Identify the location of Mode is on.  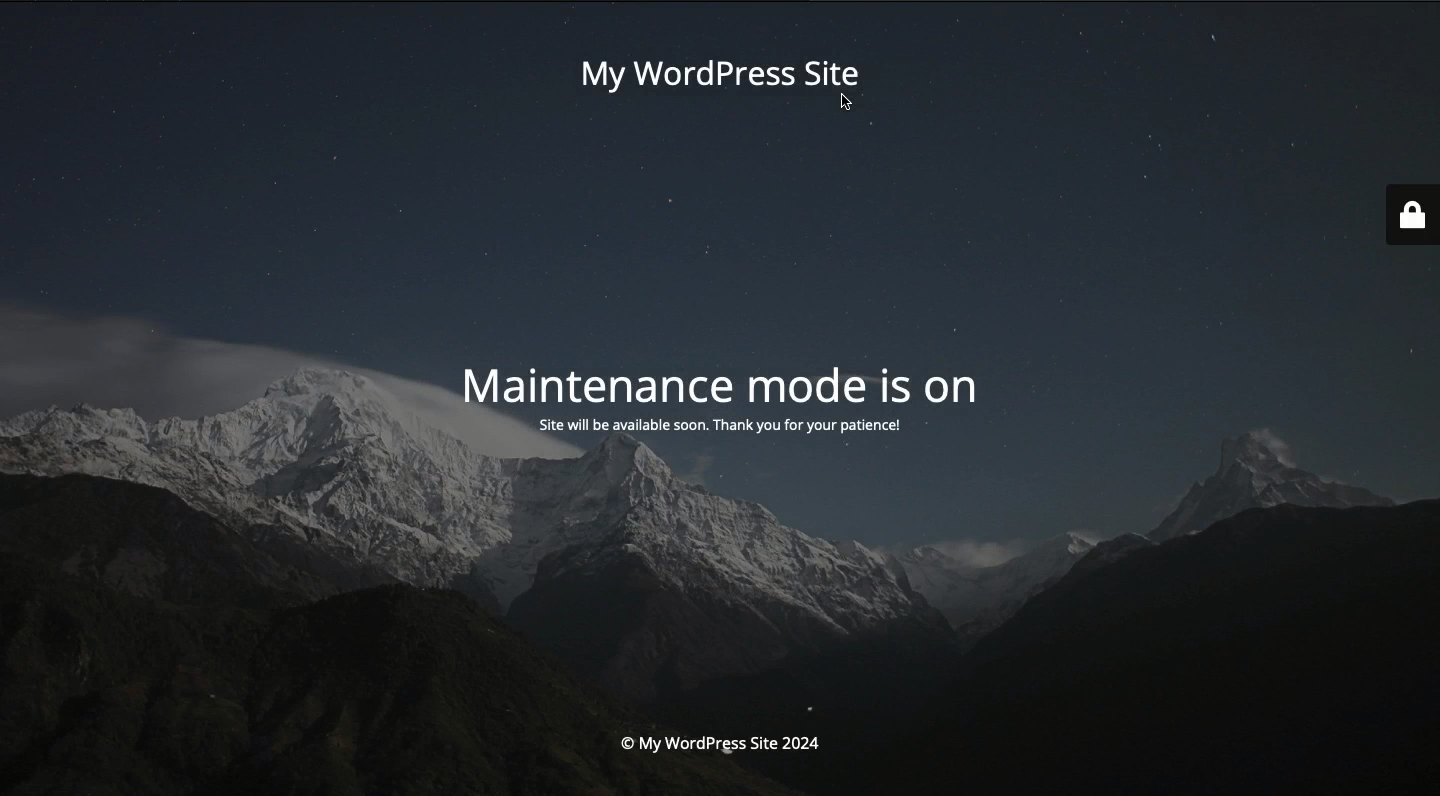
(717, 406).